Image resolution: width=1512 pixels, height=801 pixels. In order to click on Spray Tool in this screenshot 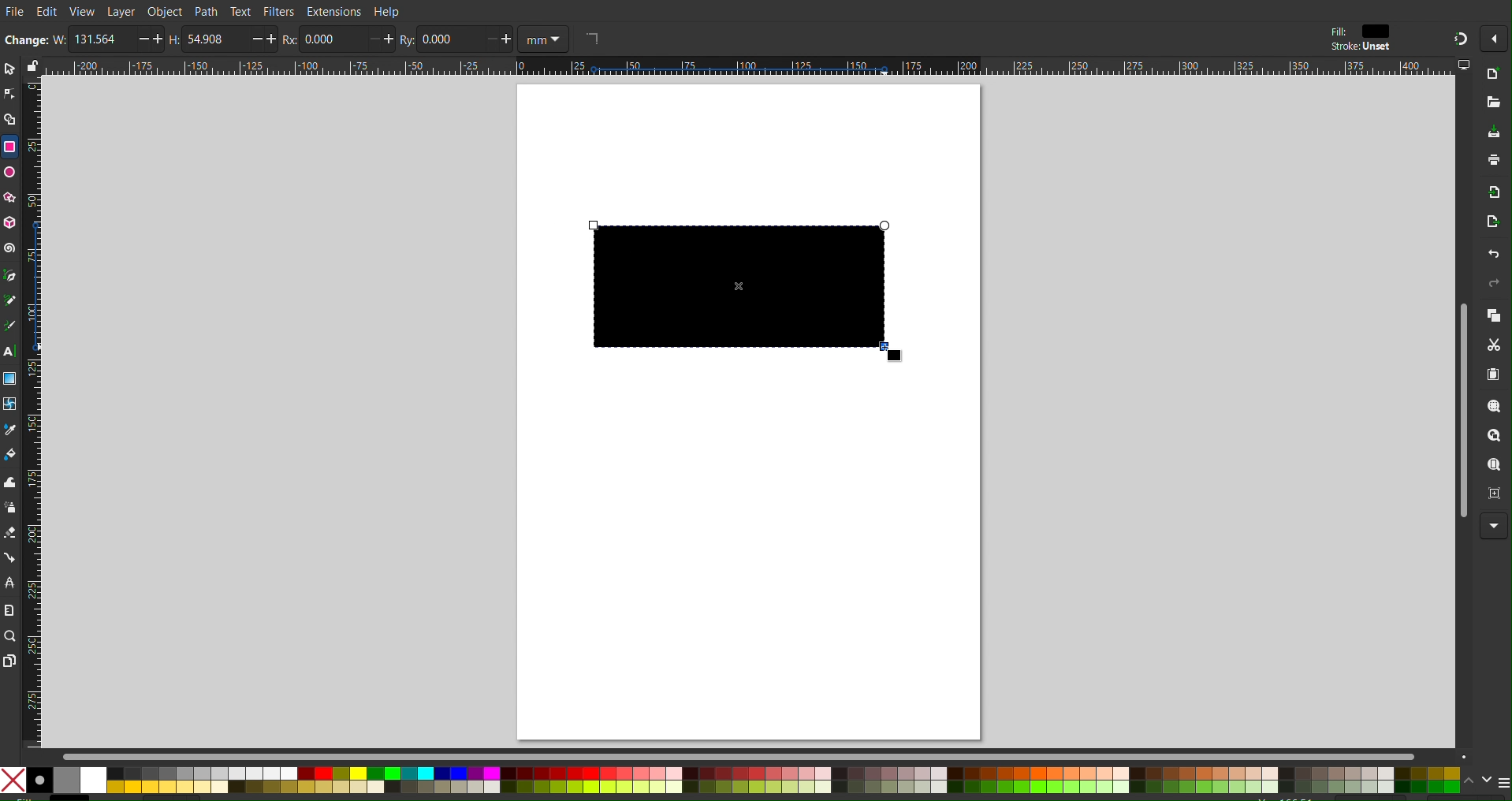, I will do `click(9, 510)`.